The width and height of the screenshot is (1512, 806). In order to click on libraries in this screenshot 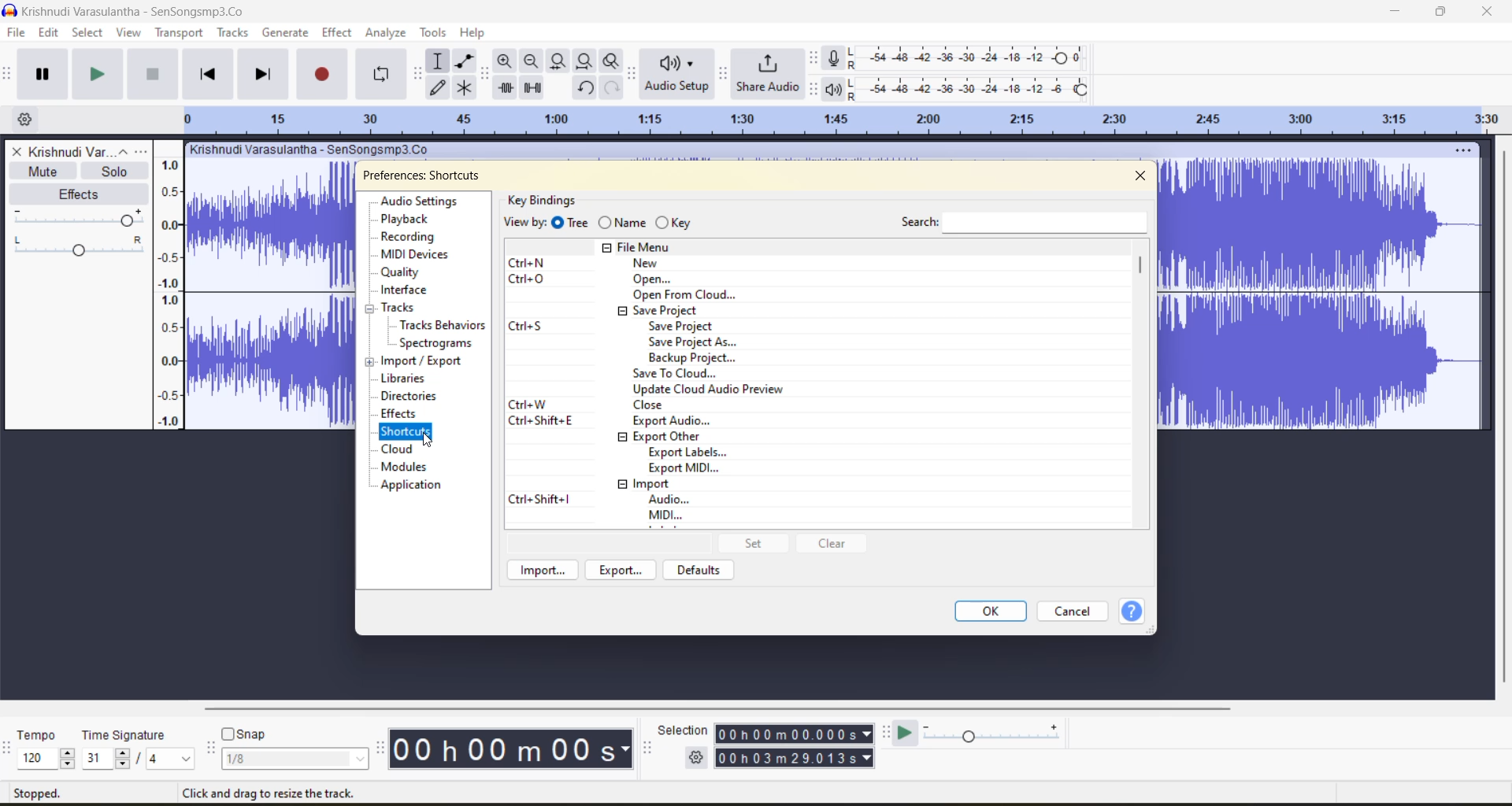, I will do `click(412, 379)`.